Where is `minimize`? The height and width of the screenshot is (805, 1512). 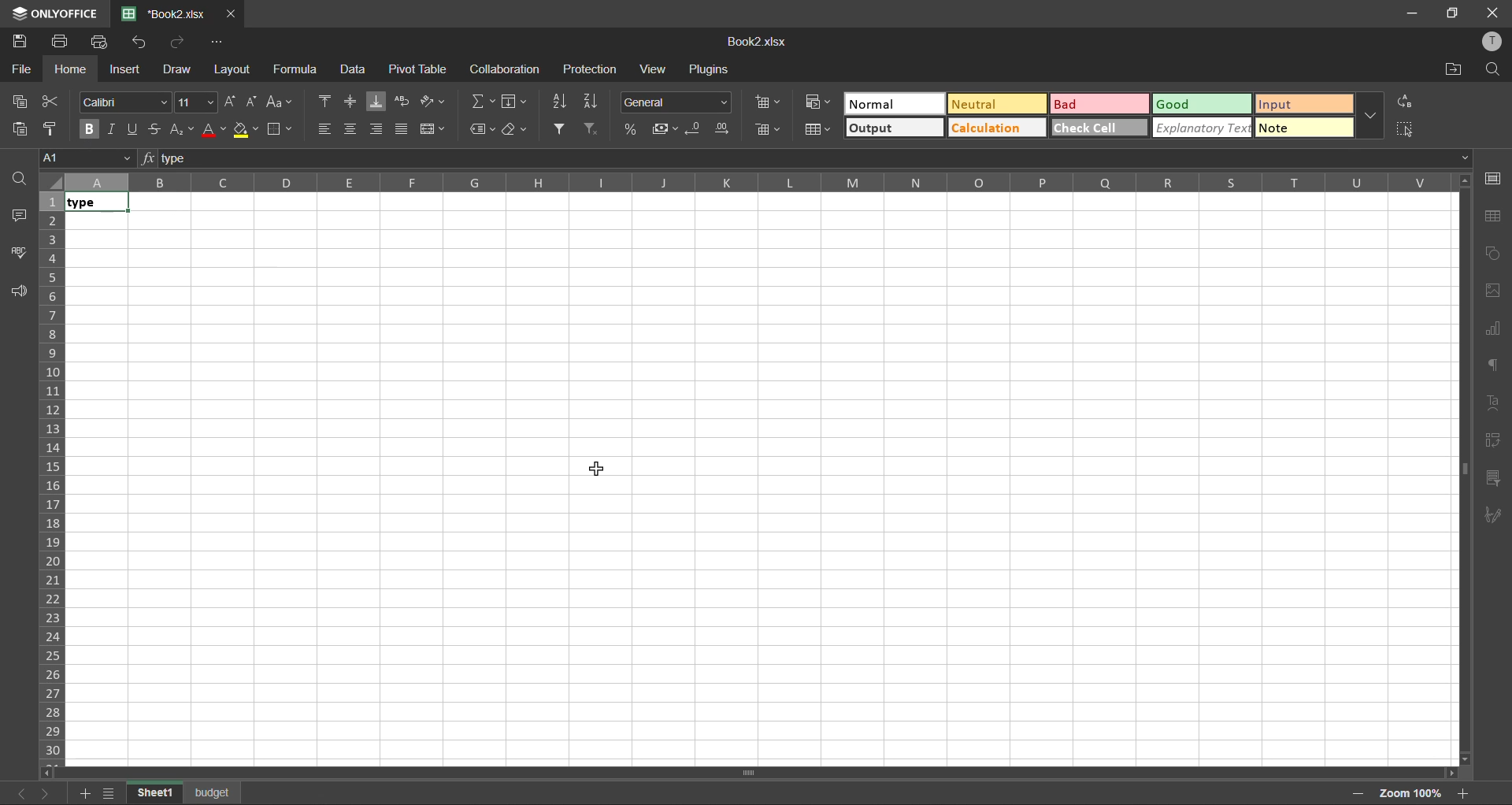
minimize is located at coordinates (1409, 13).